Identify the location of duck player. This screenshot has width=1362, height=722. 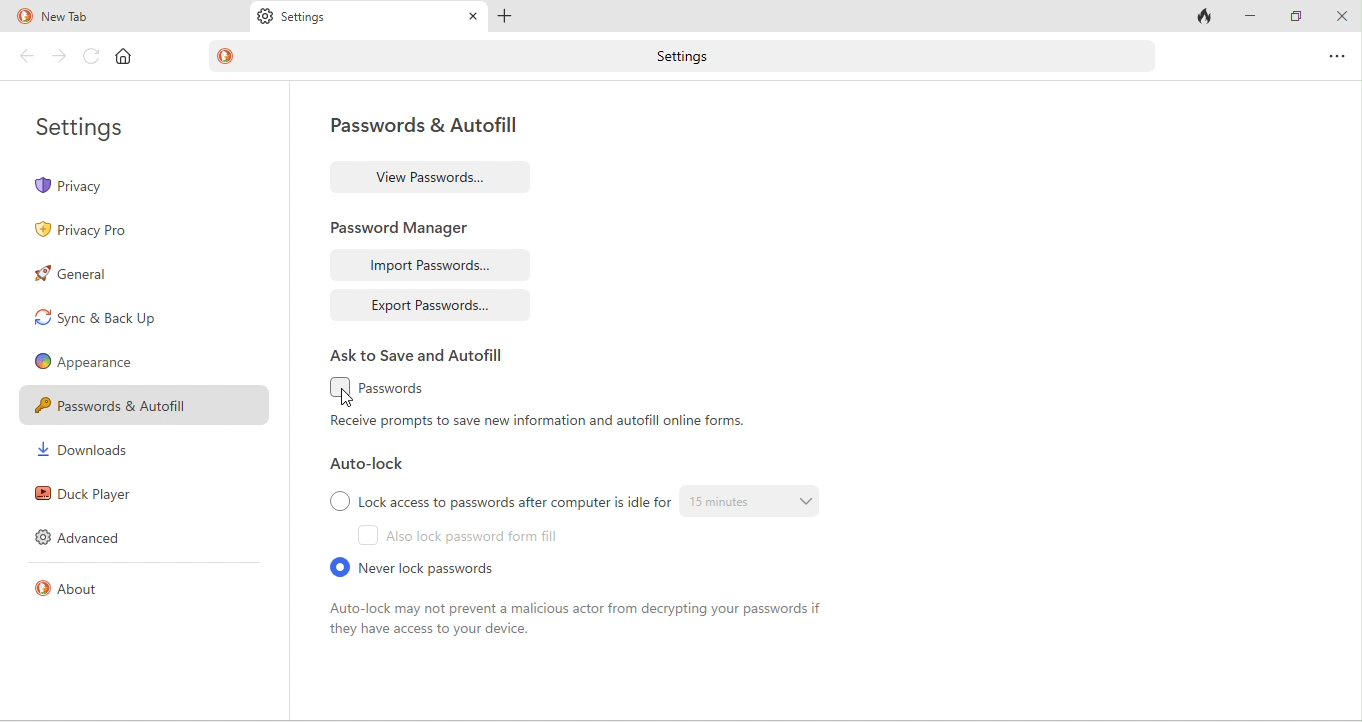
(84, 492).